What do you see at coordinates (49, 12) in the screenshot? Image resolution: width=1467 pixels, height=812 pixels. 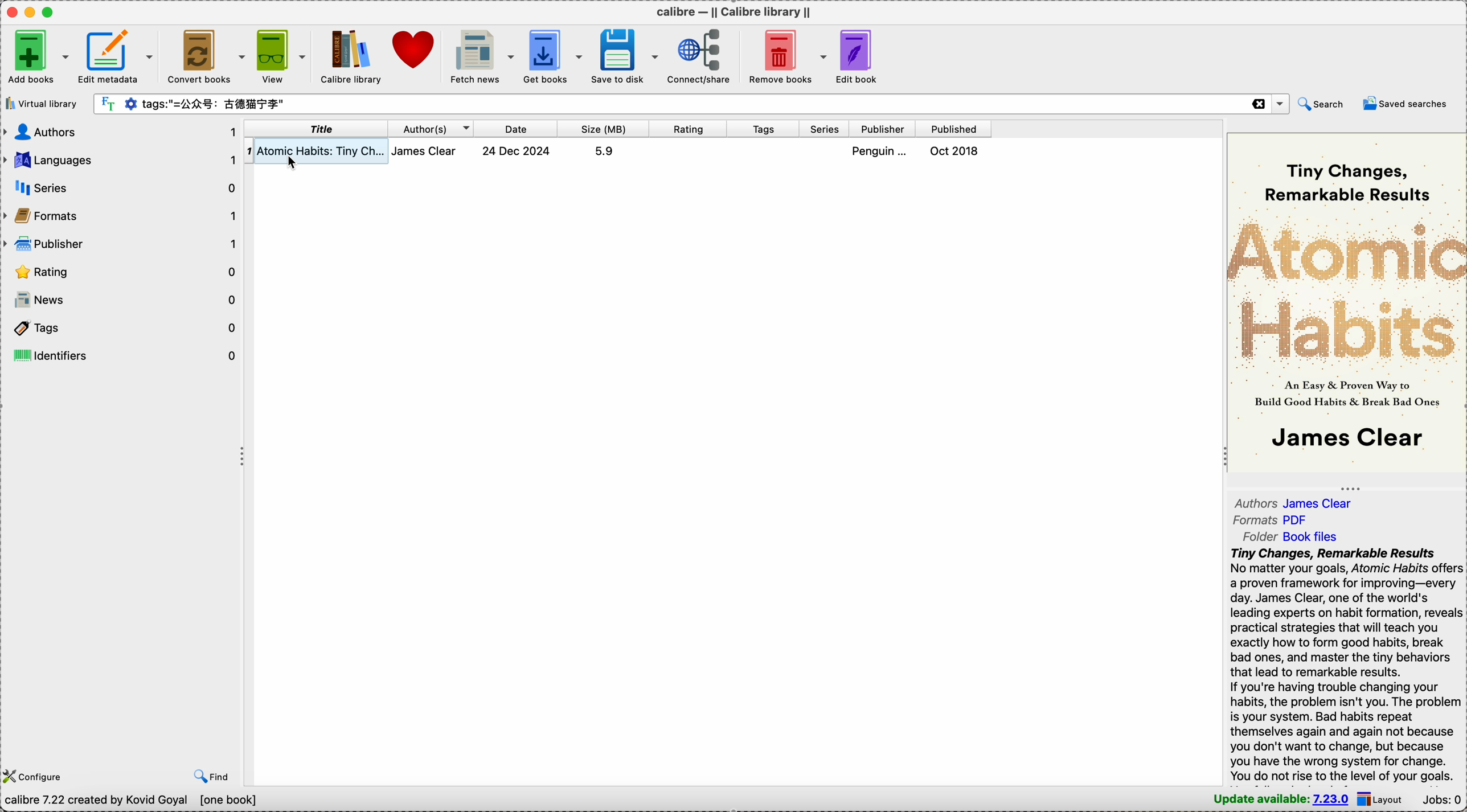 I see `maximize` at bounding box center [49, 12].